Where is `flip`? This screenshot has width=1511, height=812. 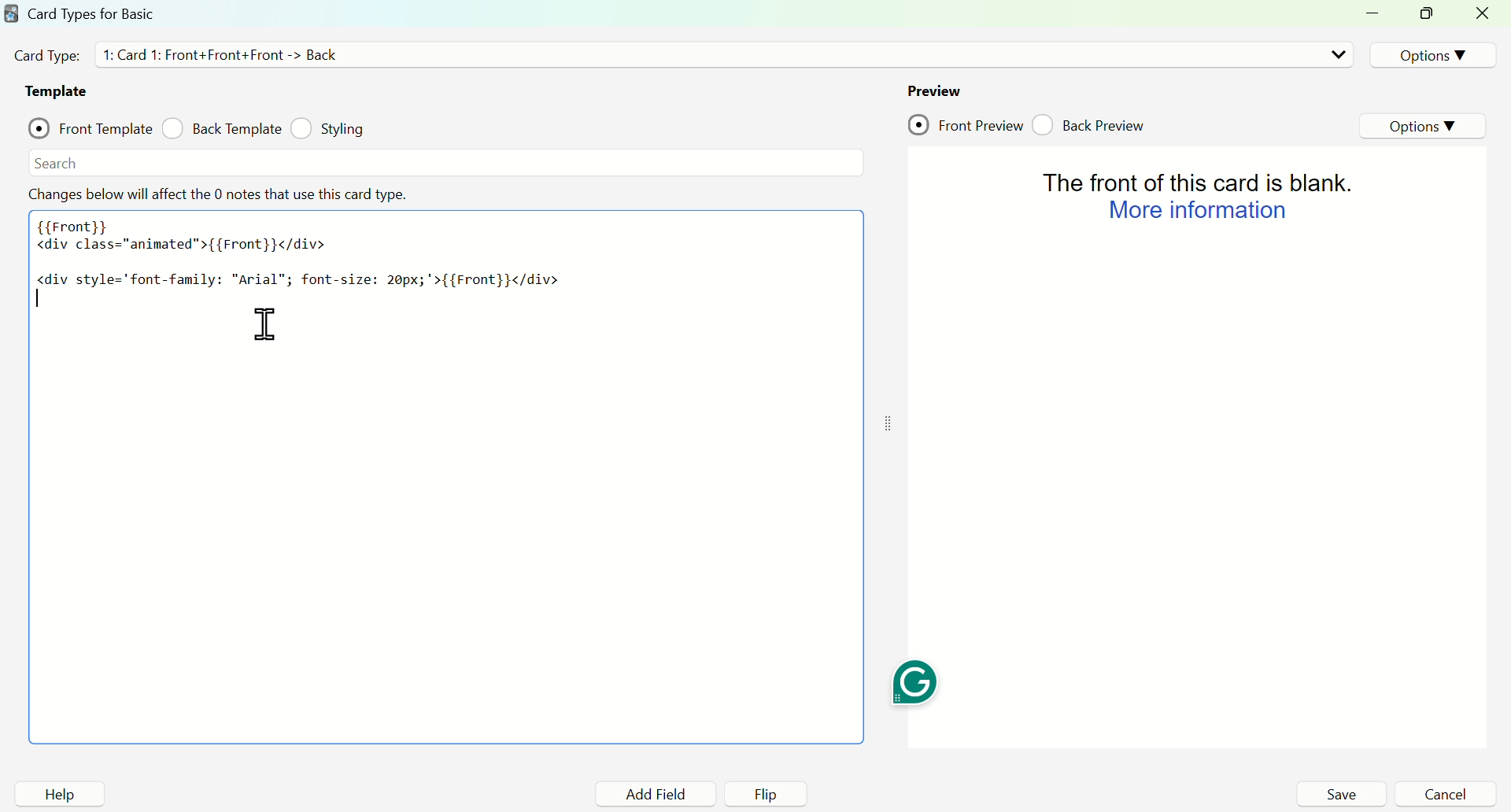
flip is located at coordinates (767, 795).